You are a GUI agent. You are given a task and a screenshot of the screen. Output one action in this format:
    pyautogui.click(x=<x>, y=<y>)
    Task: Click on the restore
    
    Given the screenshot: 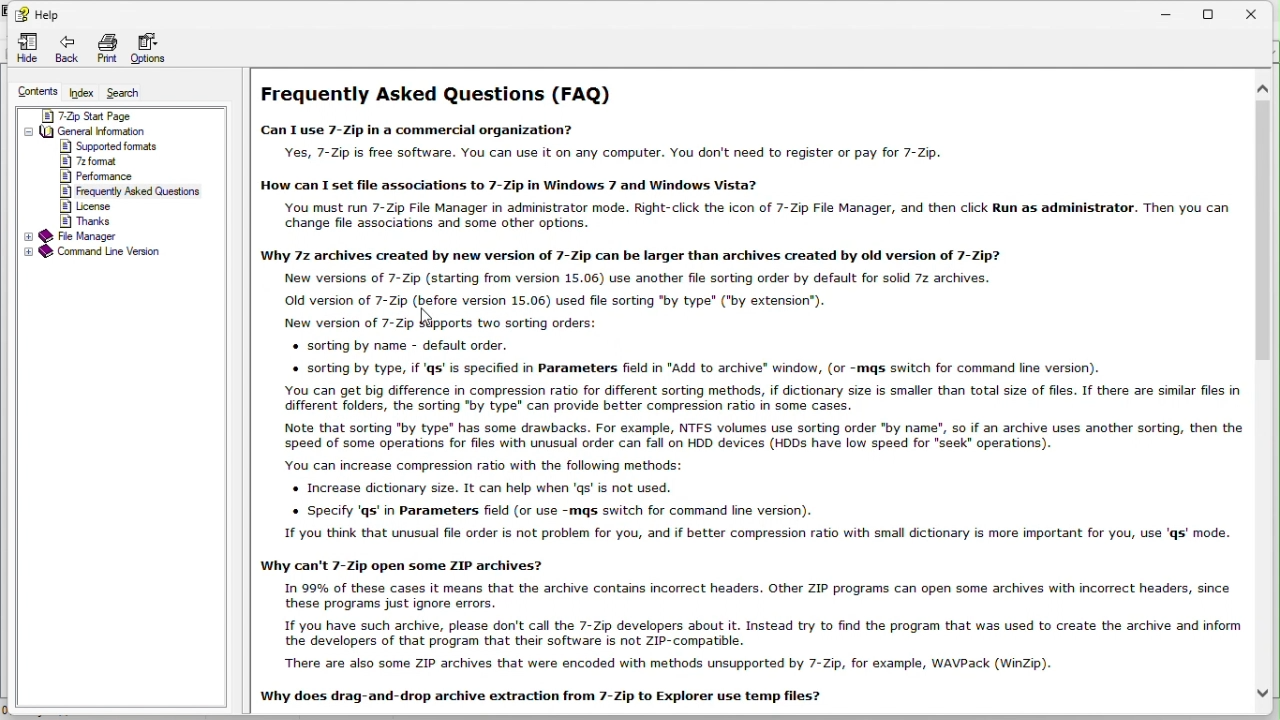 What is the action you would take?
    pyautogui.click(x=1211, y=13)
    